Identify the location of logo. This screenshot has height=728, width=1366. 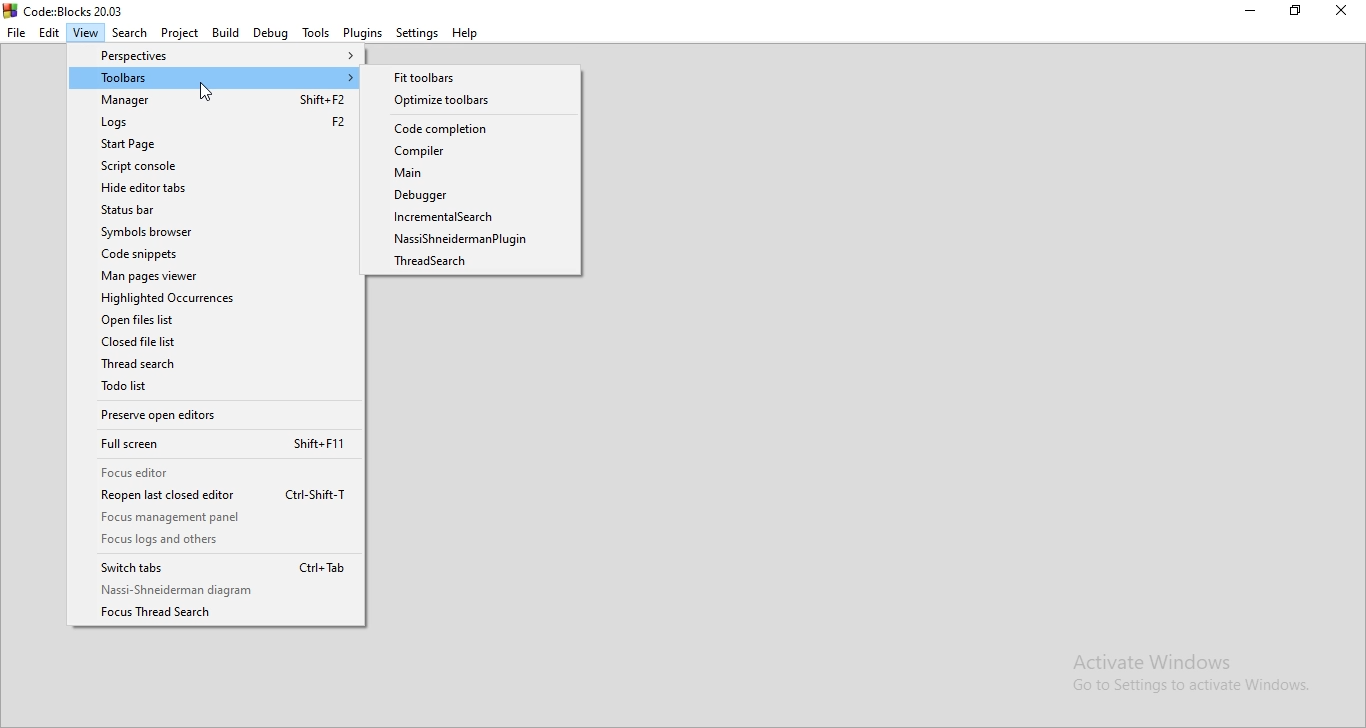
(67, 10).